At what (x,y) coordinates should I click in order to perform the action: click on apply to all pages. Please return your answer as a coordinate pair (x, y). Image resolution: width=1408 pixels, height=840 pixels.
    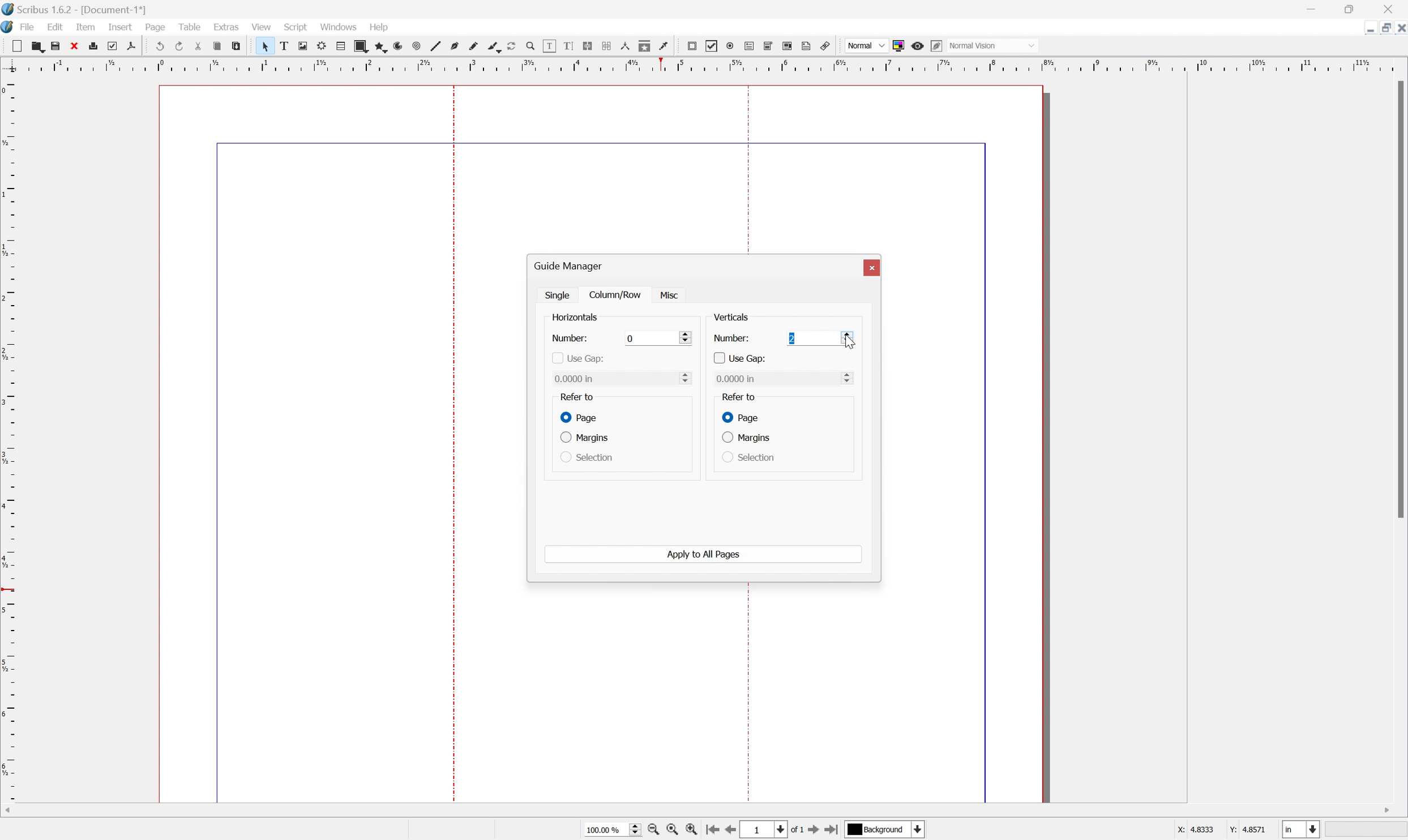
    Looking at the image, I should click on (705, 554).